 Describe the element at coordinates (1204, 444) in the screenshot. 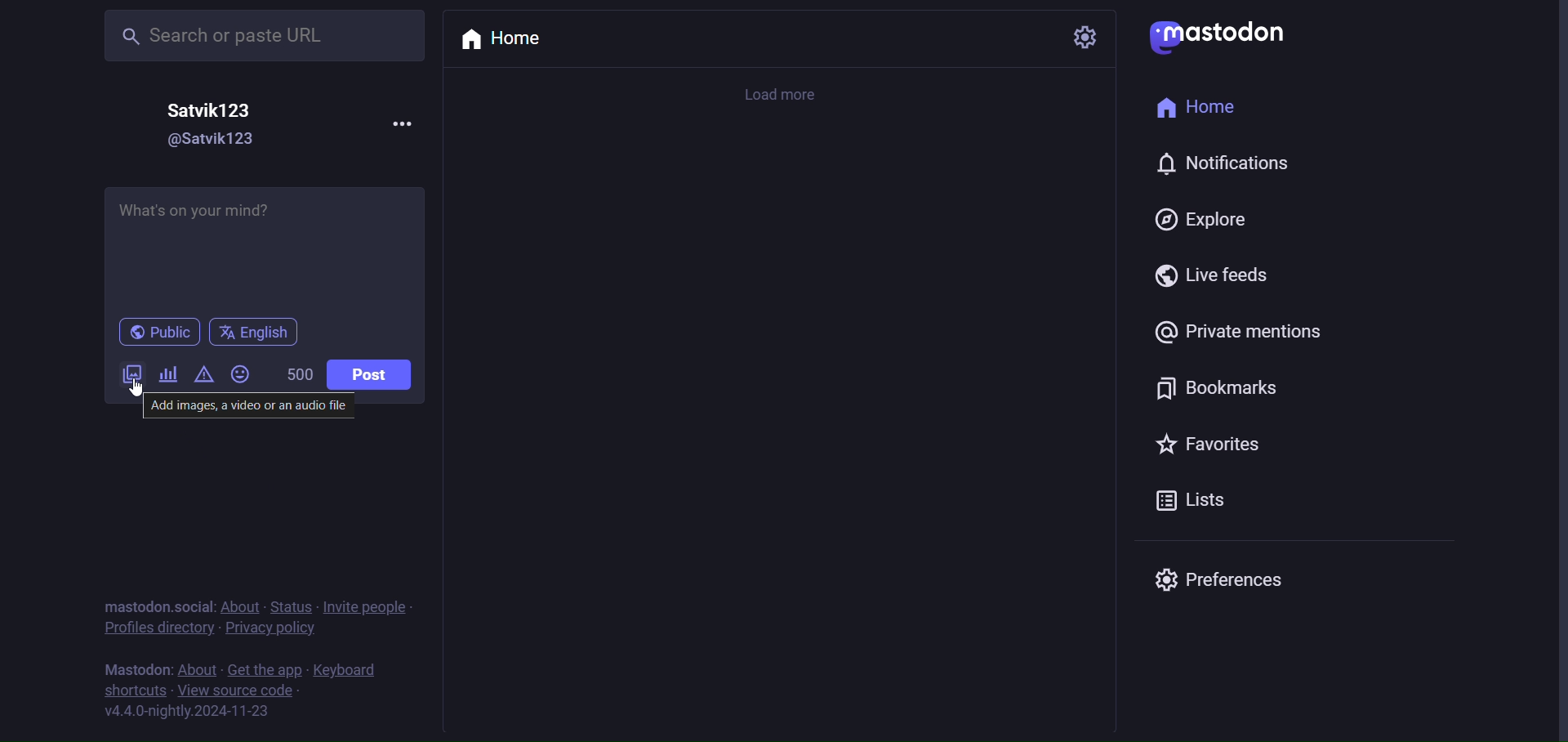

I see `favorites` at that location.